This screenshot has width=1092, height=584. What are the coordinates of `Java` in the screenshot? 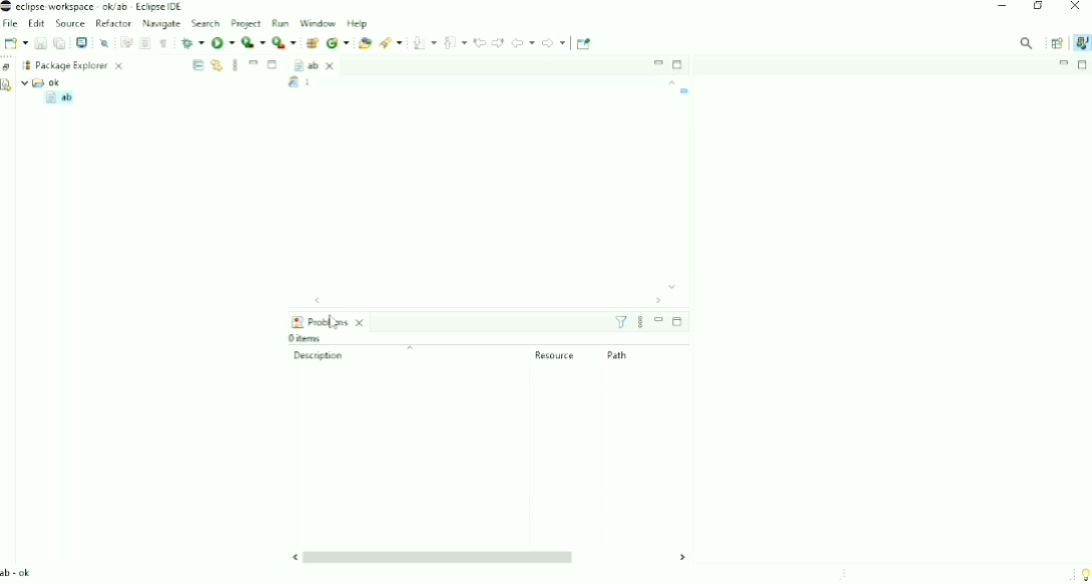 It's located at (1080, 43).